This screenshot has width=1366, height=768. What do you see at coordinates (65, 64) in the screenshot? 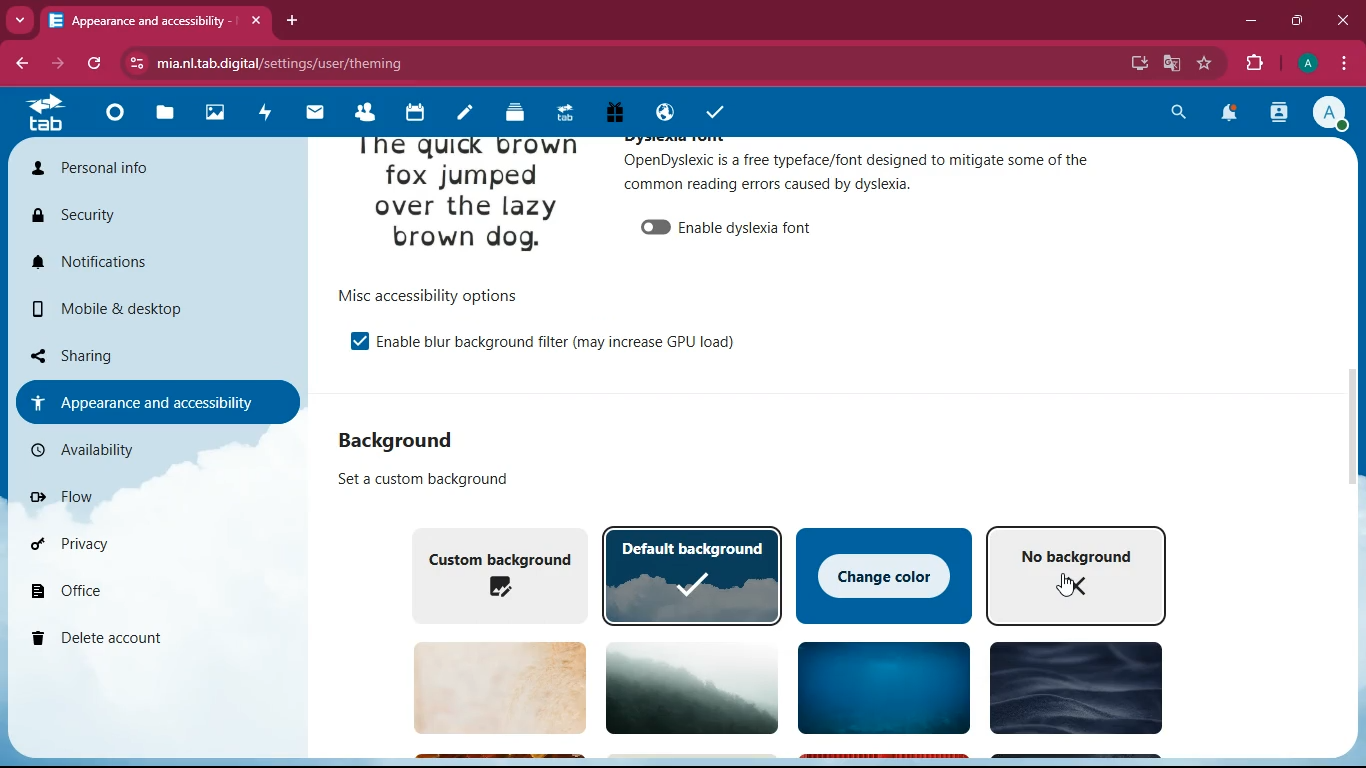
I see `forward` at bounding box center [65, 64].